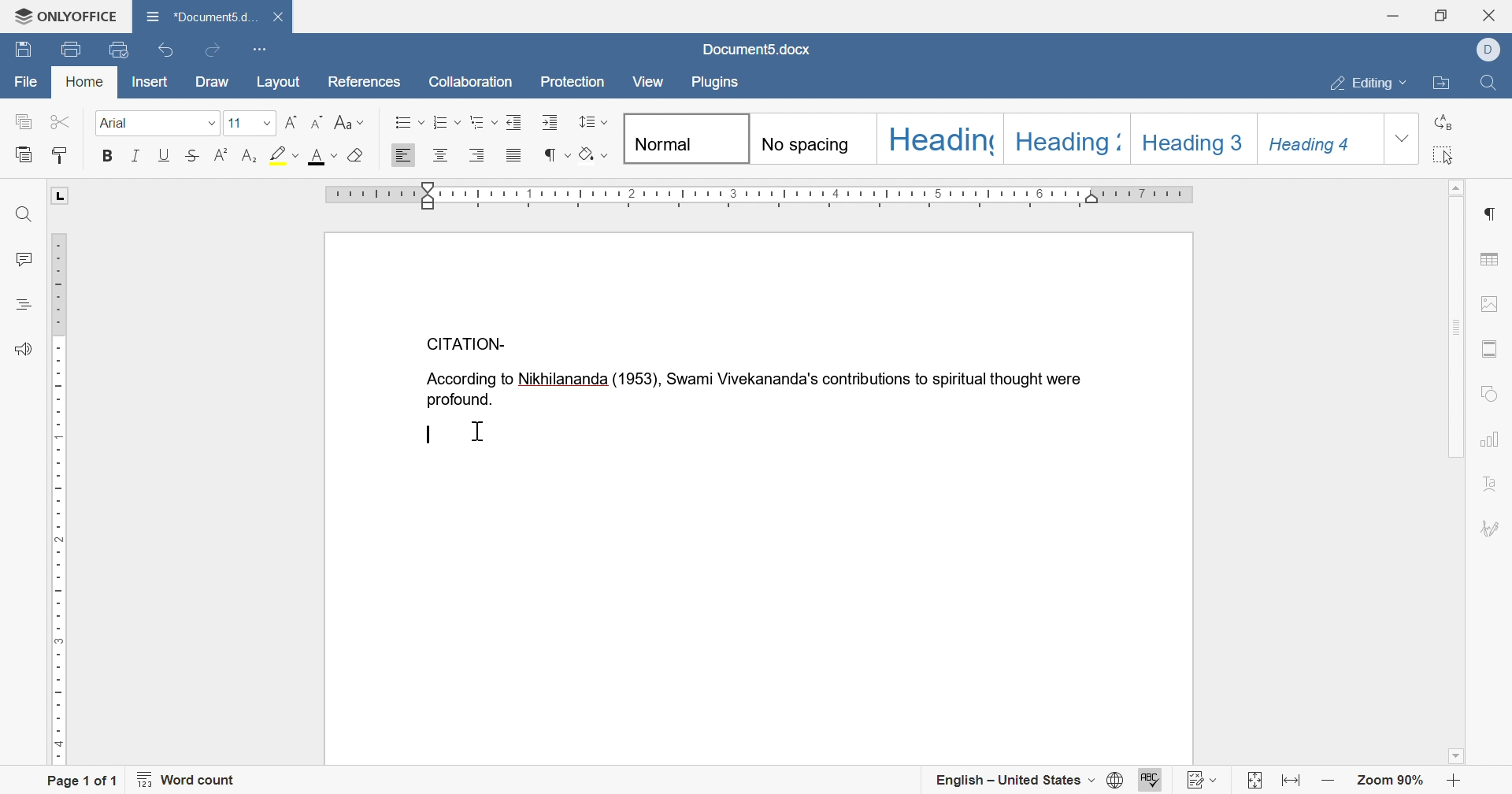 The height and width of the screenshot is (794, 1512). Describe the element at coordinates (1488, 307) in the screenshot. I see `image settings` at that location.